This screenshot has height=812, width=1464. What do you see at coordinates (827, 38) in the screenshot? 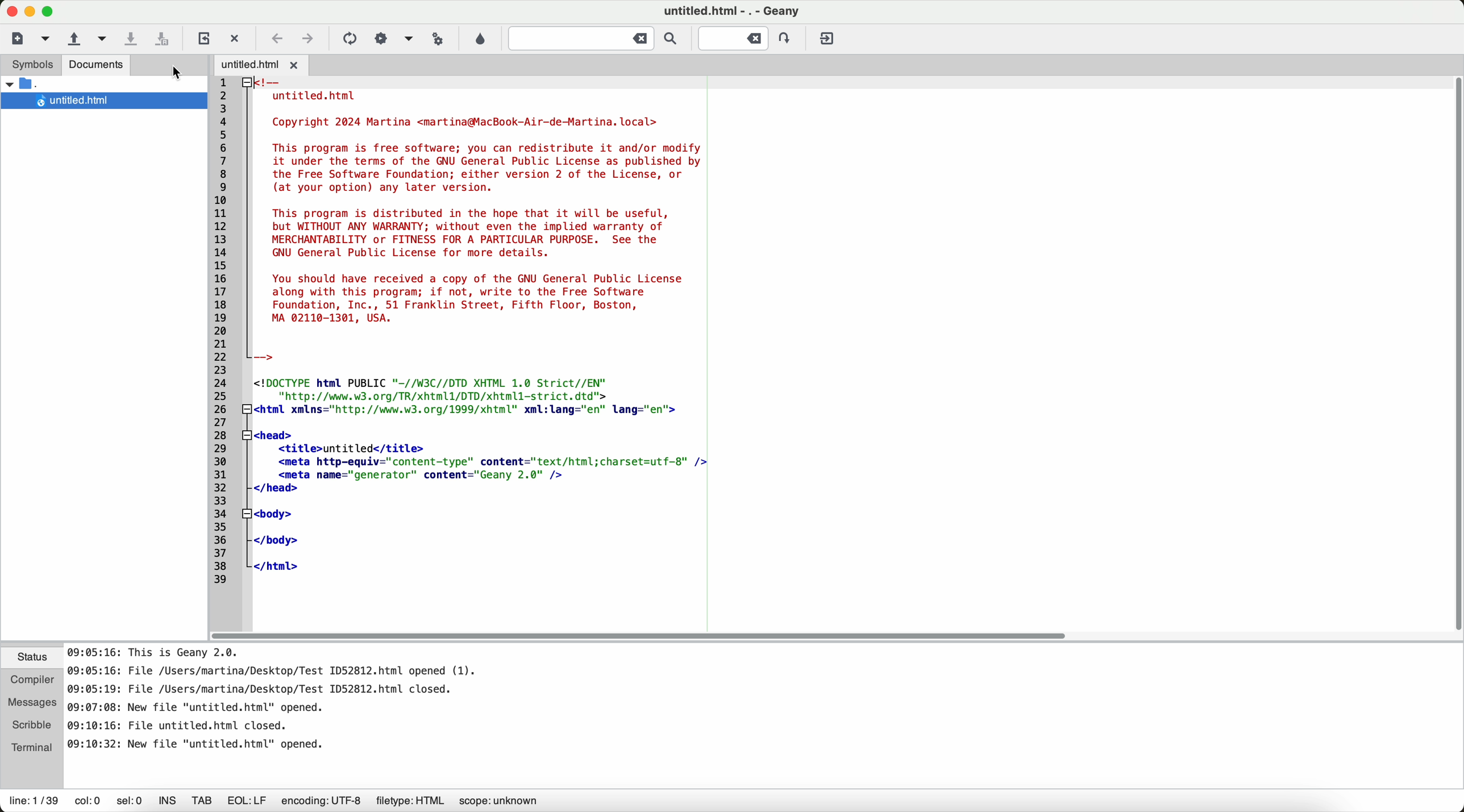
I see `quit Geany` at bounding box center [827, 38].